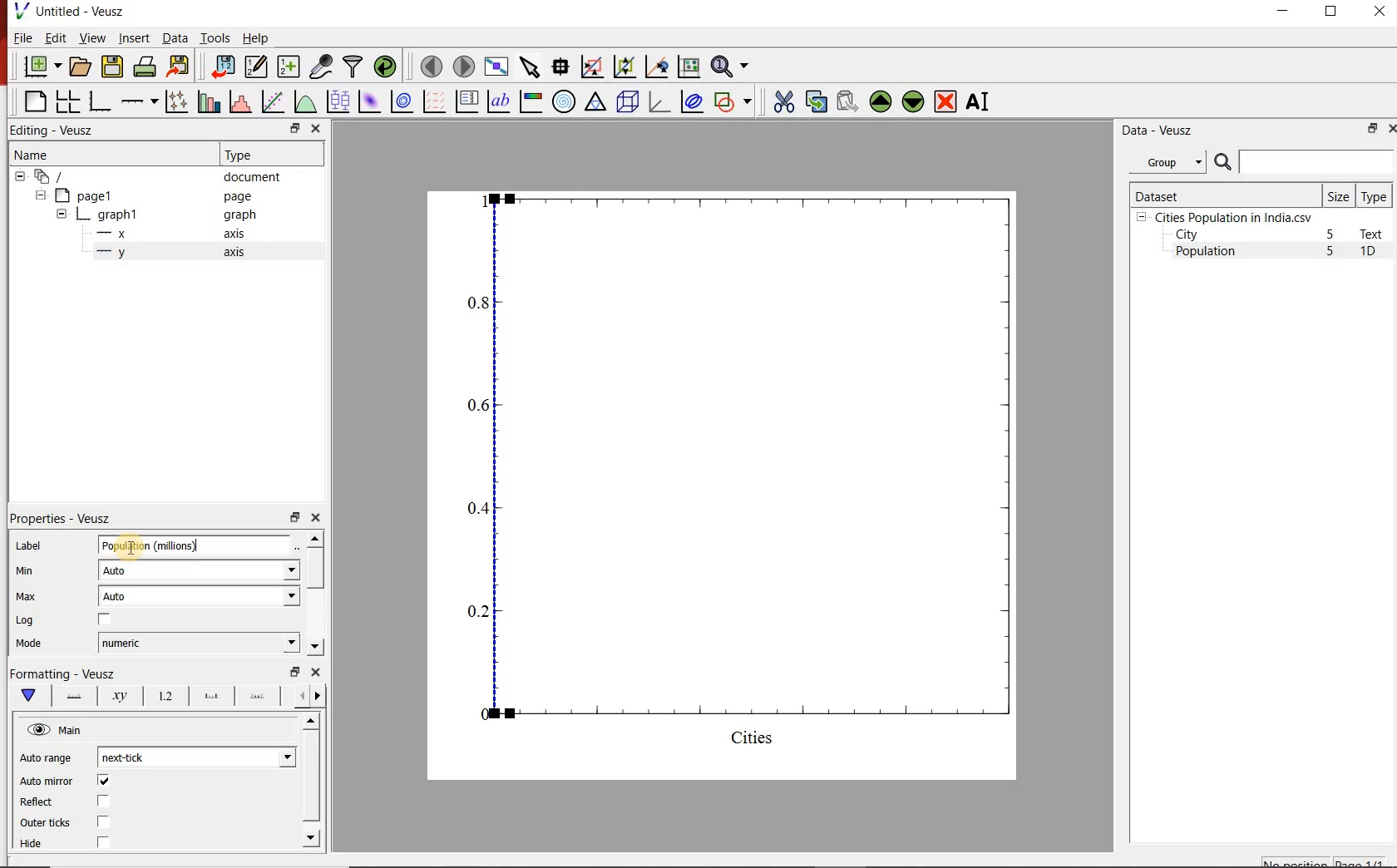  I want to click on check/uncheck, so click(102, 845).